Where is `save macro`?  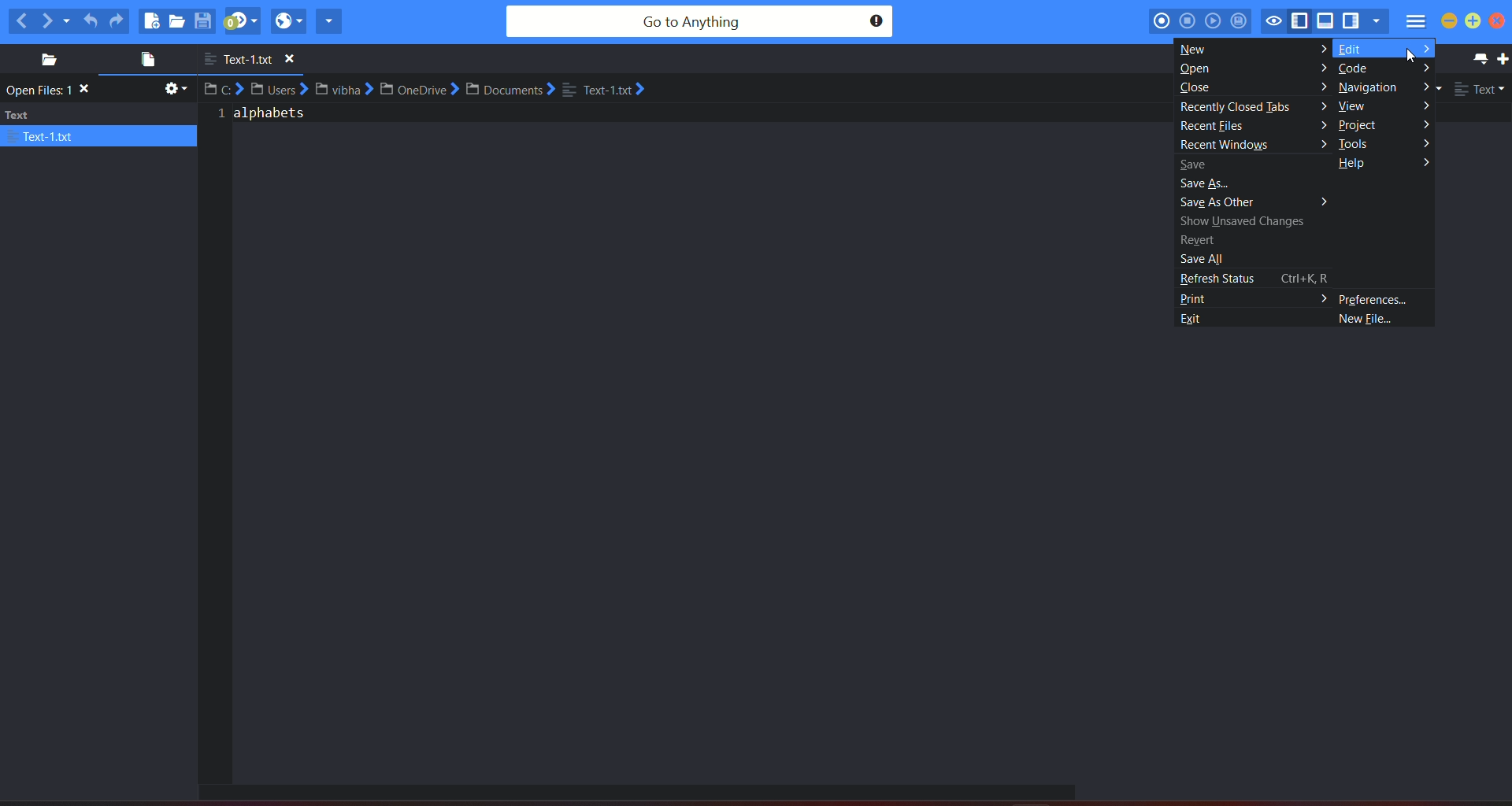
save macro is located at coordinates (1241, 23).